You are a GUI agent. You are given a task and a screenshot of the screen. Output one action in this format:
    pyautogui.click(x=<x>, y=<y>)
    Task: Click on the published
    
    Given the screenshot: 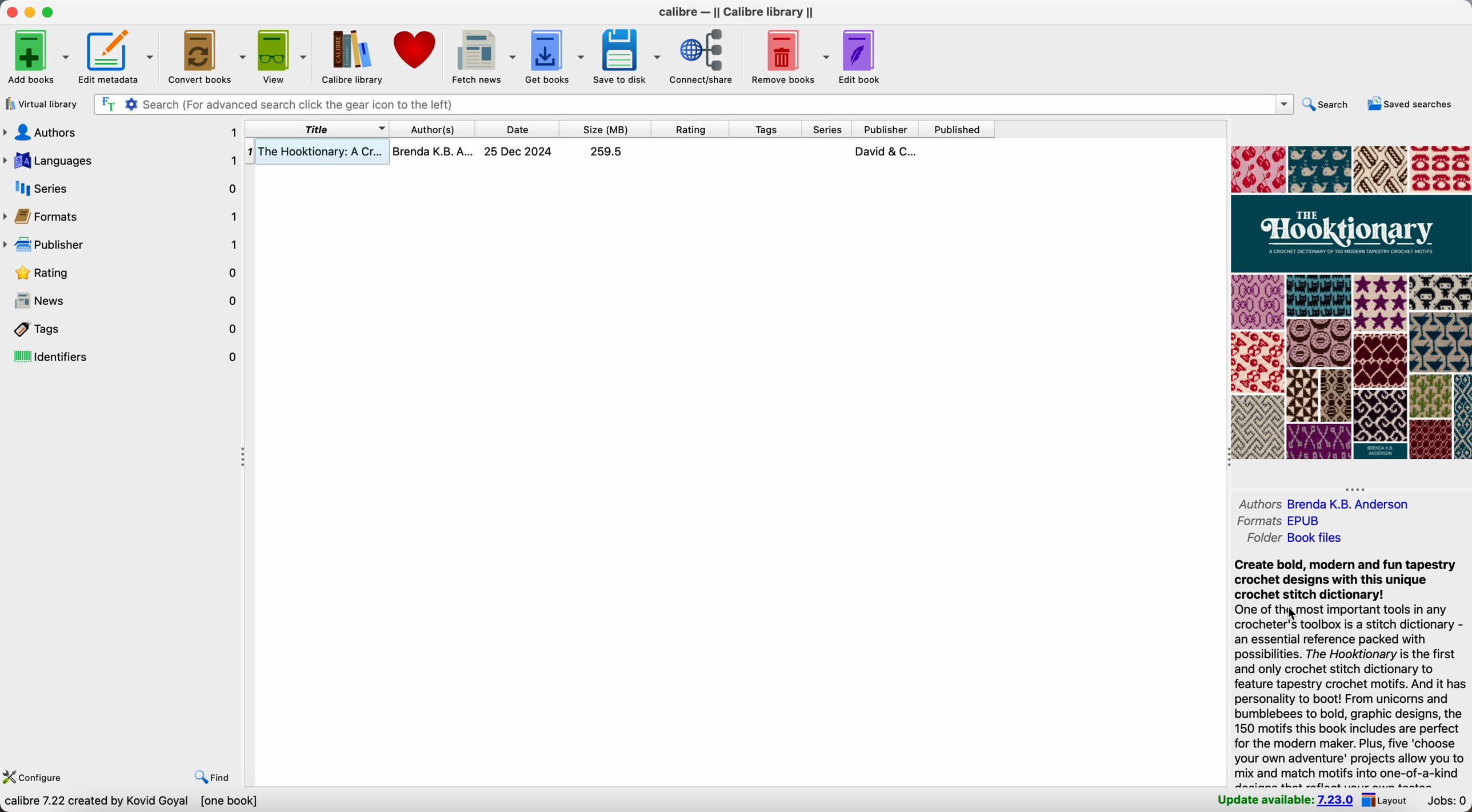 What is the action you would take?
    pyautogui.click(x=957, y=129)
    